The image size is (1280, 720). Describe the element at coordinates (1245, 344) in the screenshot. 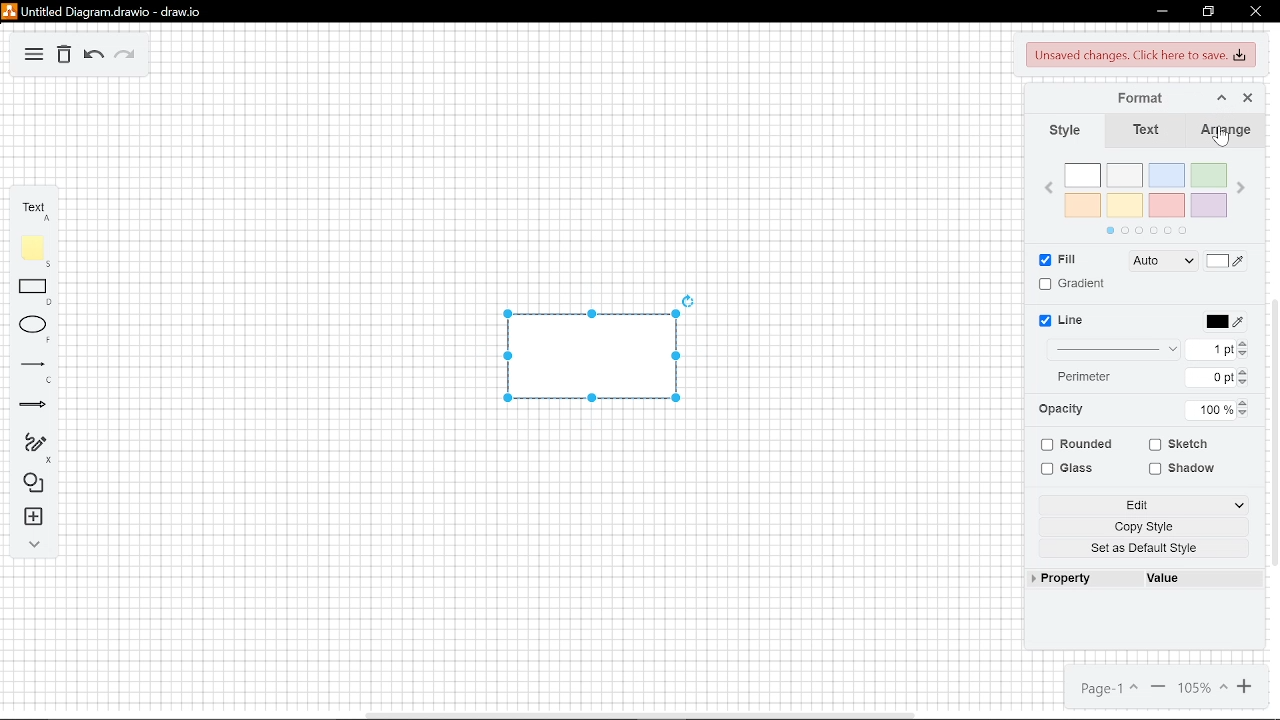

I see `increase line ` at that location.